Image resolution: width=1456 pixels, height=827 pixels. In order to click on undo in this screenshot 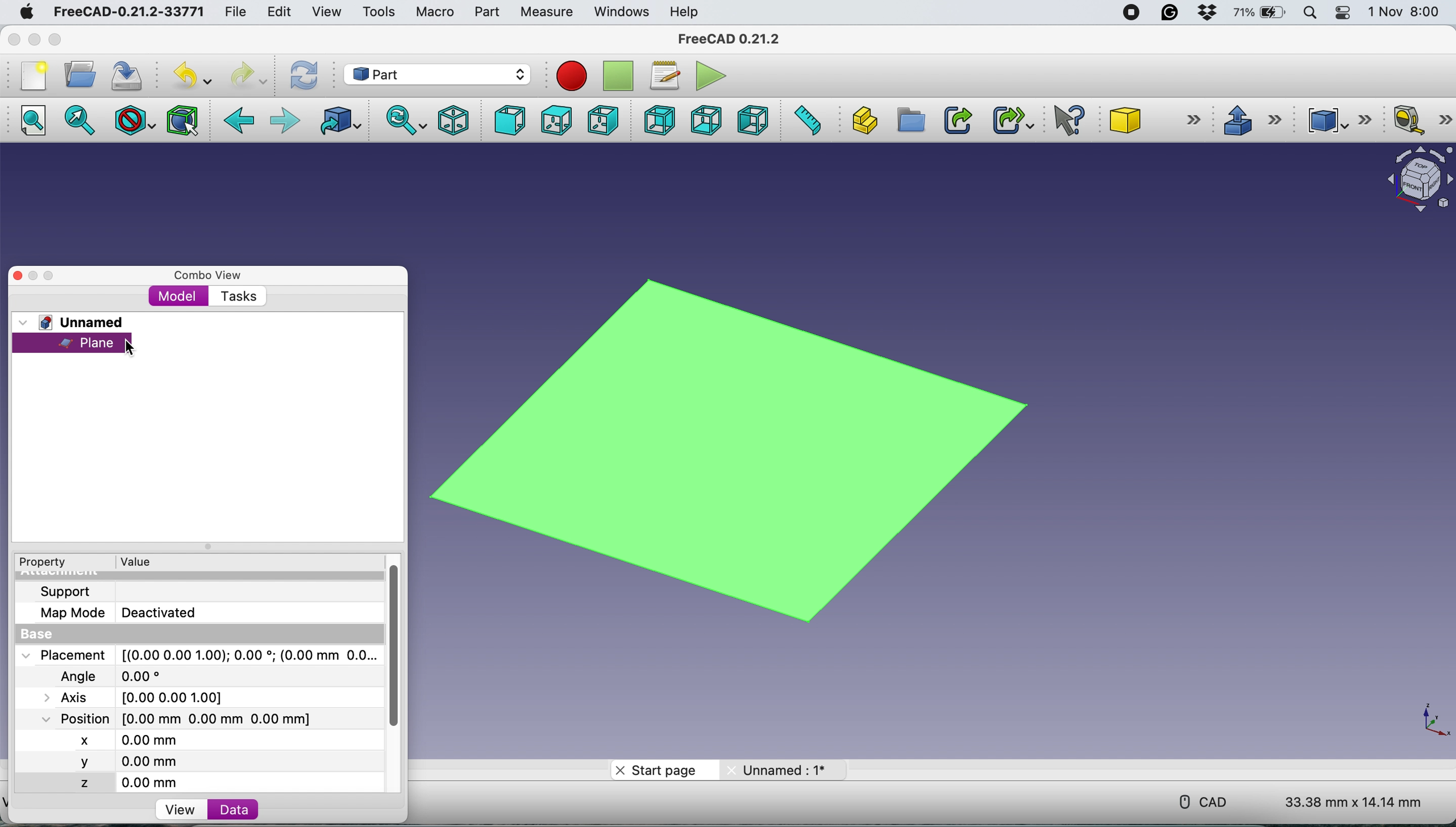, I will do `click(193, 76)`.